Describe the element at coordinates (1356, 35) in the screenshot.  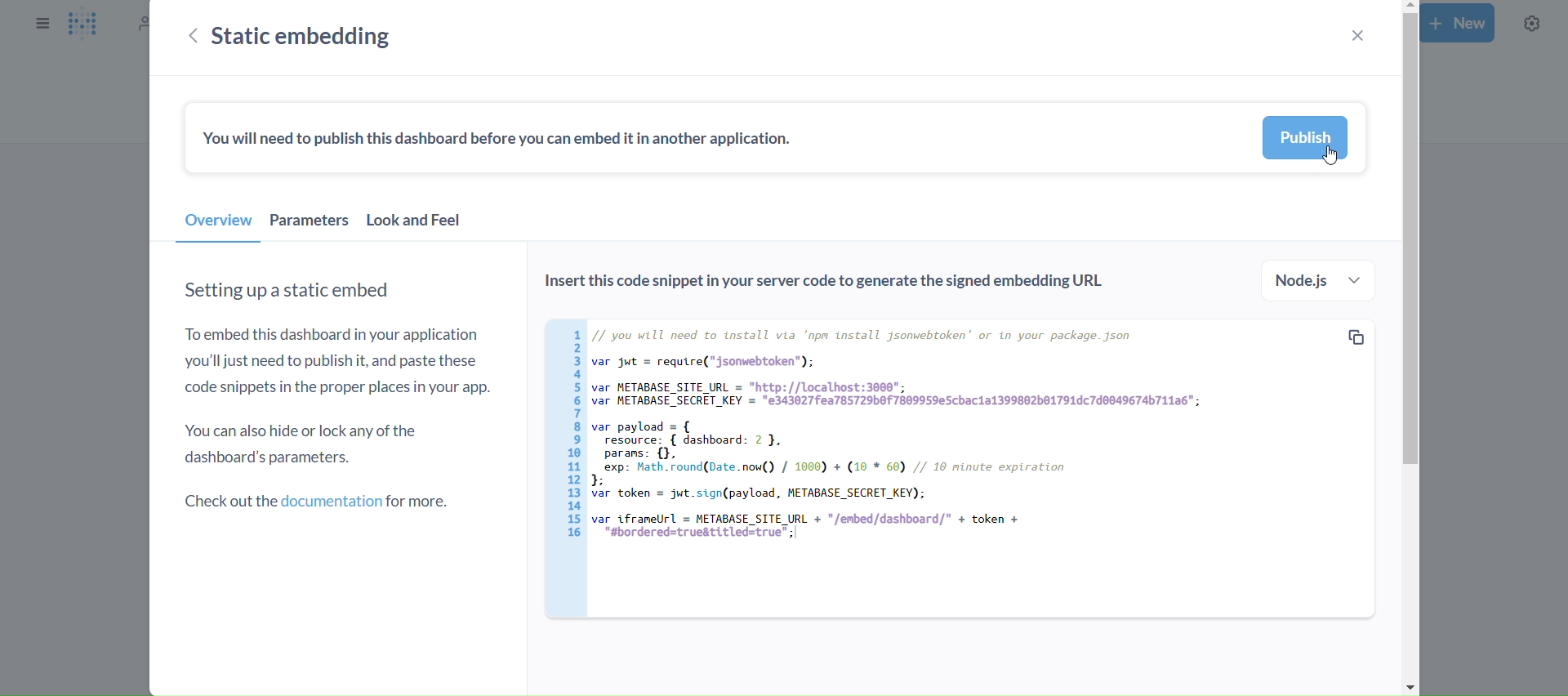
I see `close` at that location.